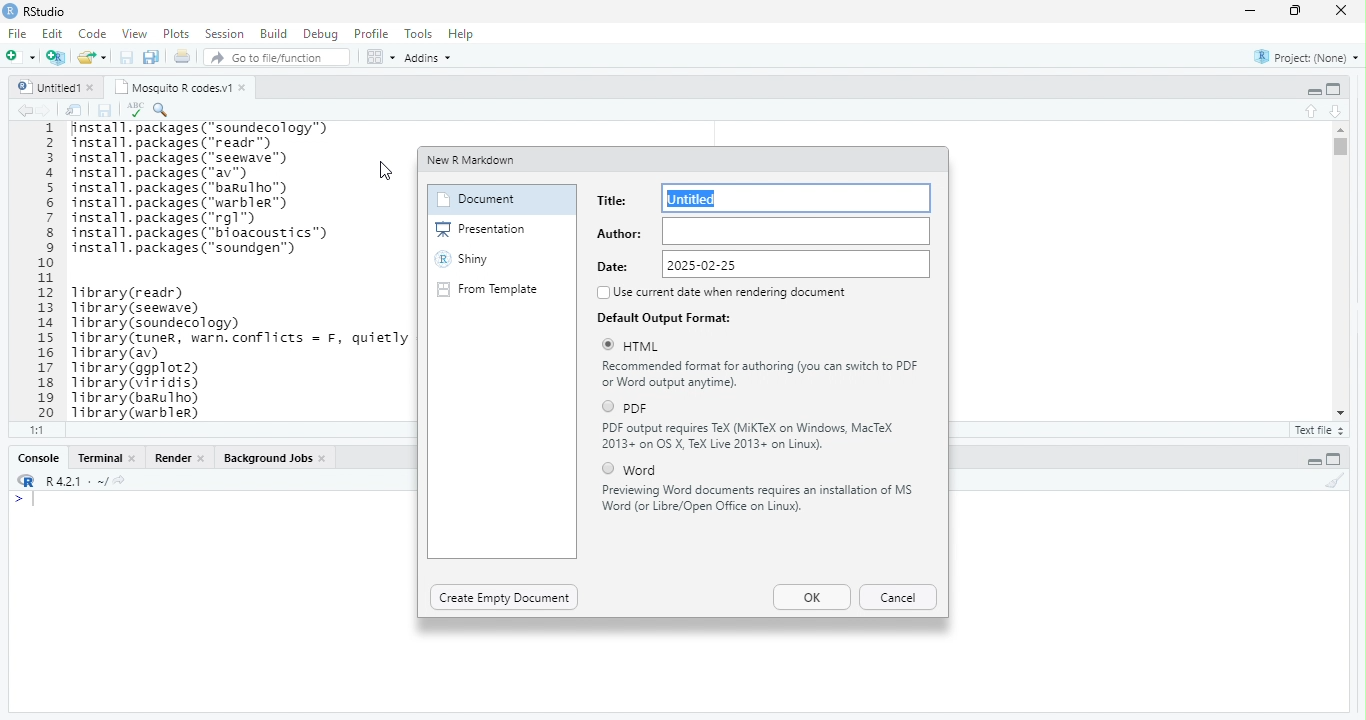 This screenshot has width=1366, height=720. Describe the element at coordinates (644, 347) in the screenshot. I see `HTML` at that location.